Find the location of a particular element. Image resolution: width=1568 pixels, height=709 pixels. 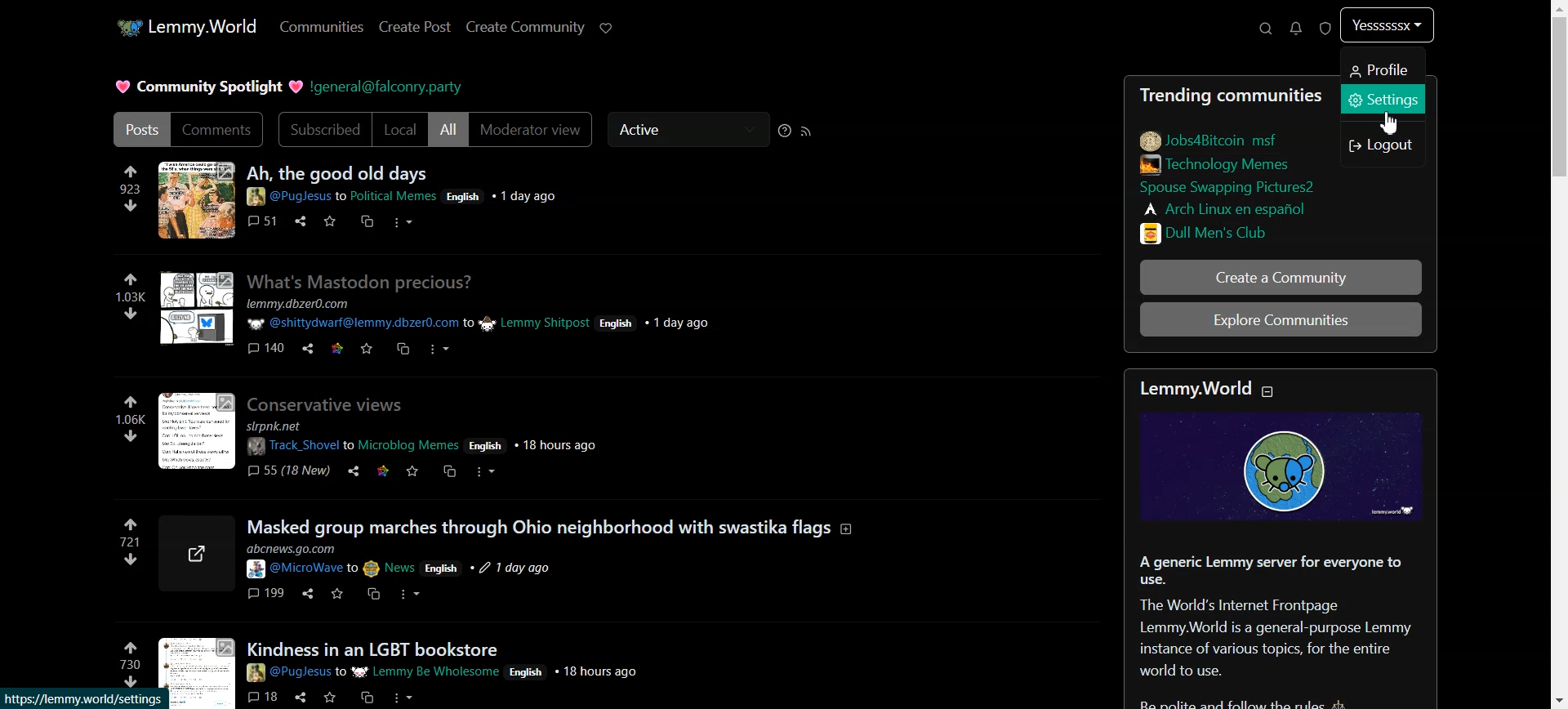

more is located at coordinates (401, 698).